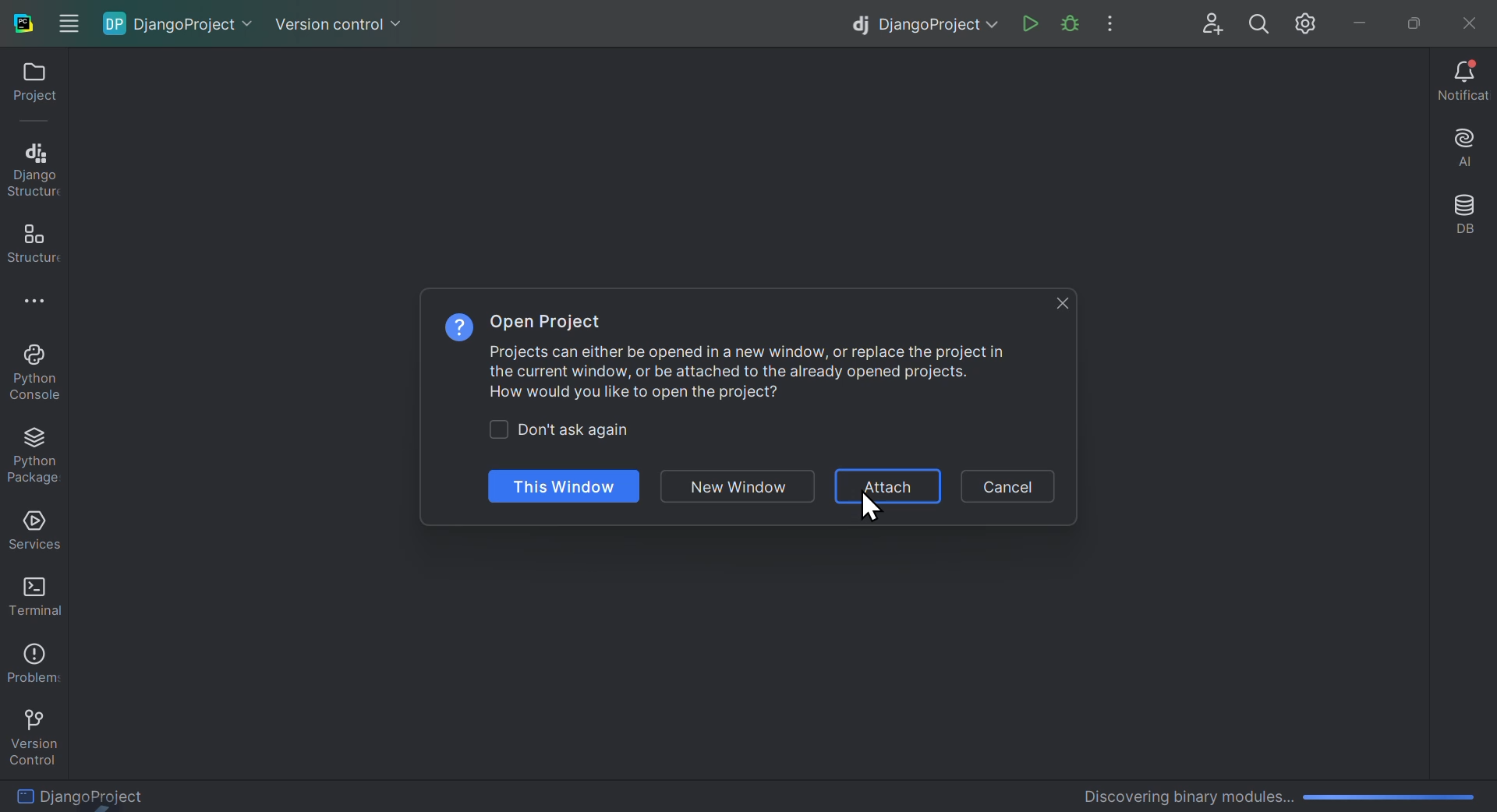 Image resolution: width=1497 pixels, height=812 pixels. I want to click on crusor, so click(869, 514).